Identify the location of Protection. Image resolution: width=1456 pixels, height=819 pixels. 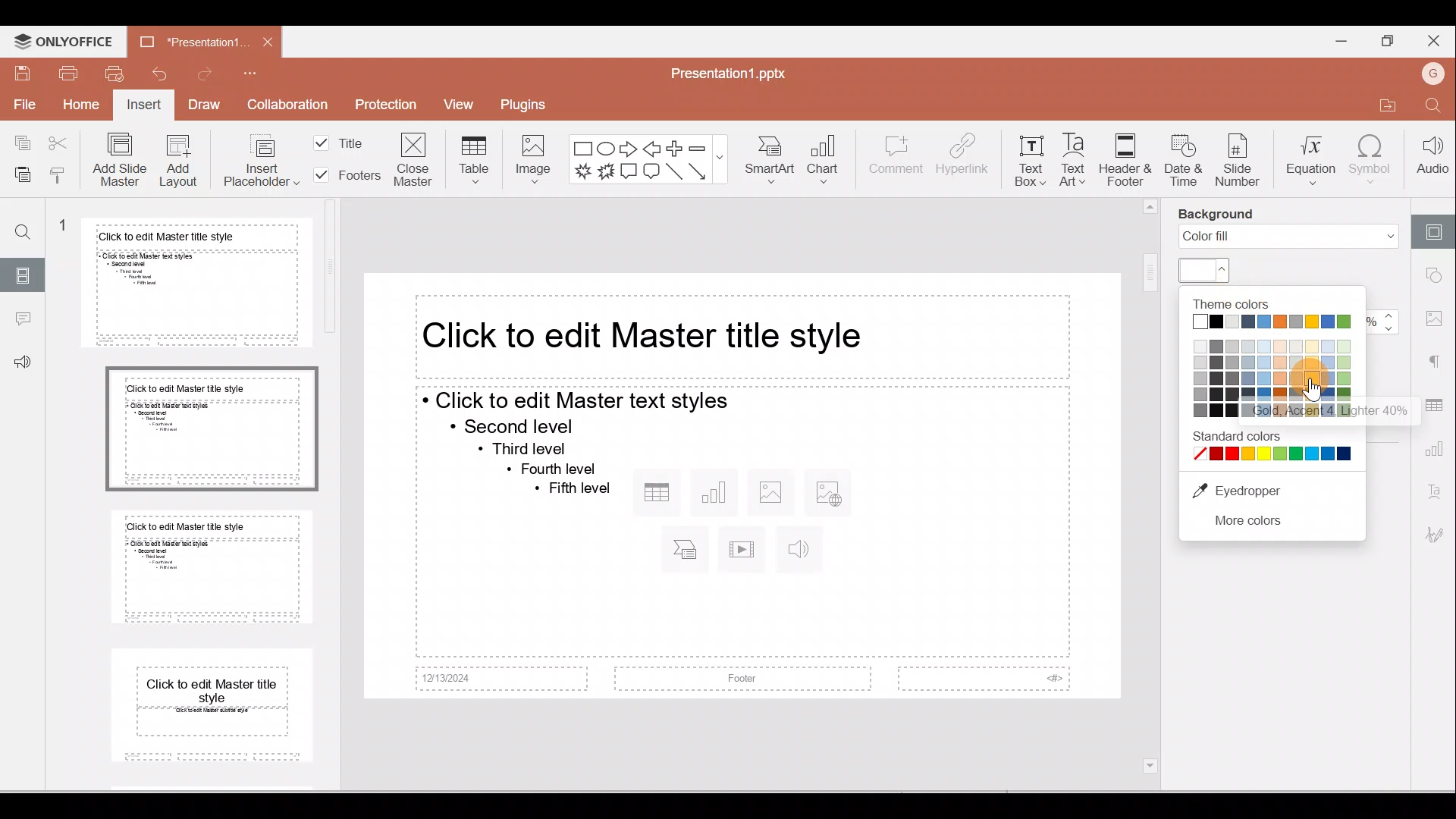
(387, 106).